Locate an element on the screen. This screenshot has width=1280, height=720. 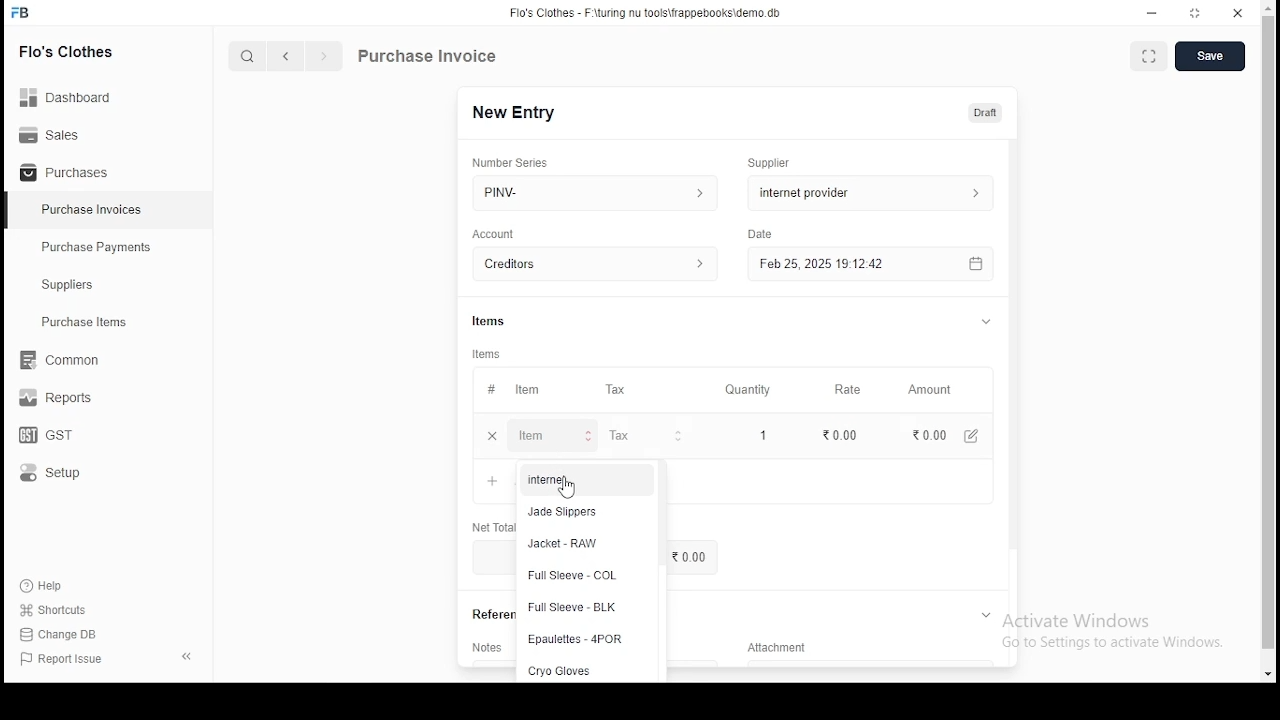
close pane is located at coordinates (185, 655).